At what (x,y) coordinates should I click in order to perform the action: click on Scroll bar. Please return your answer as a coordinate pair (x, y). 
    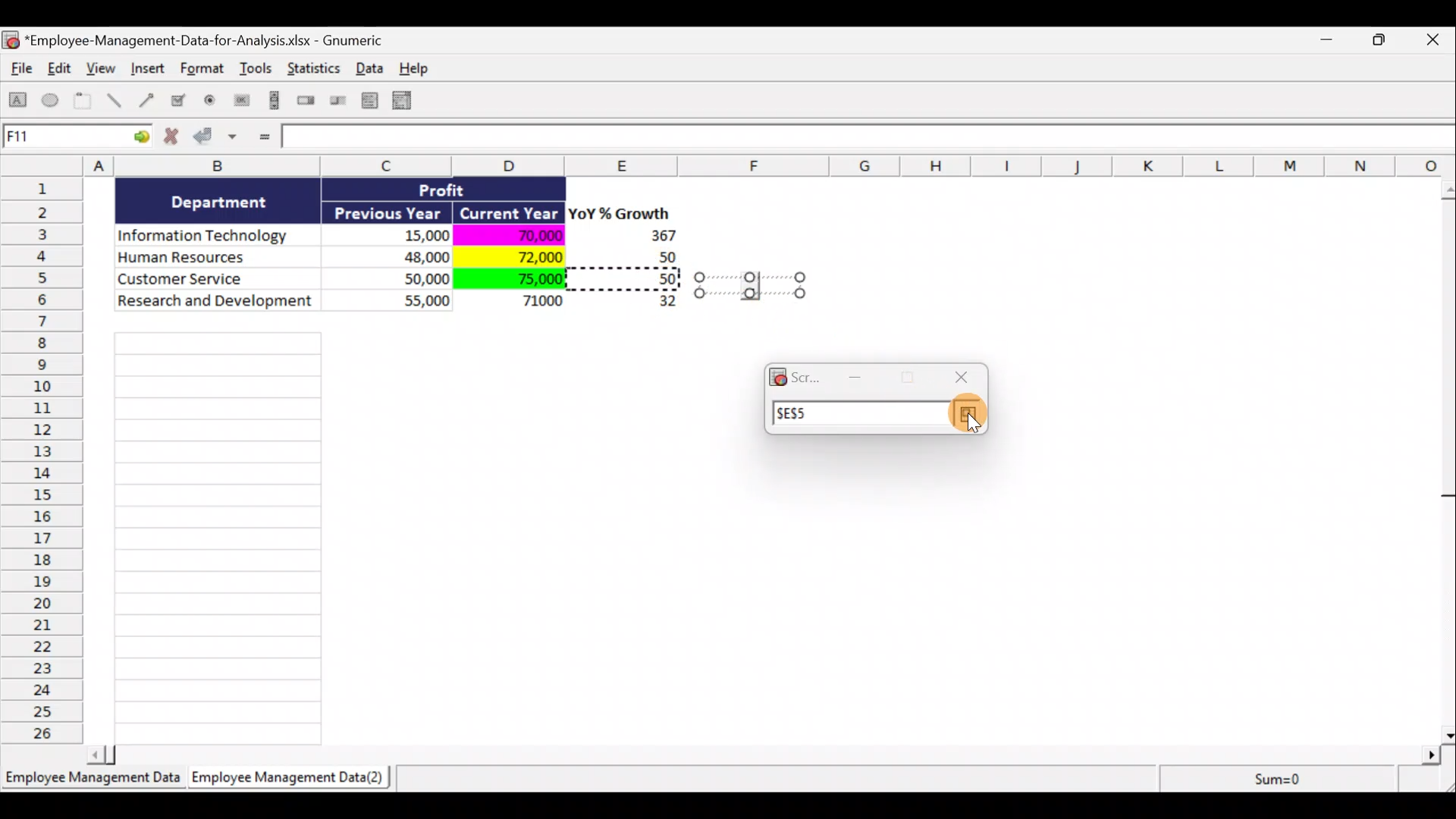
    Looking at the image, I should click on (769, 752).